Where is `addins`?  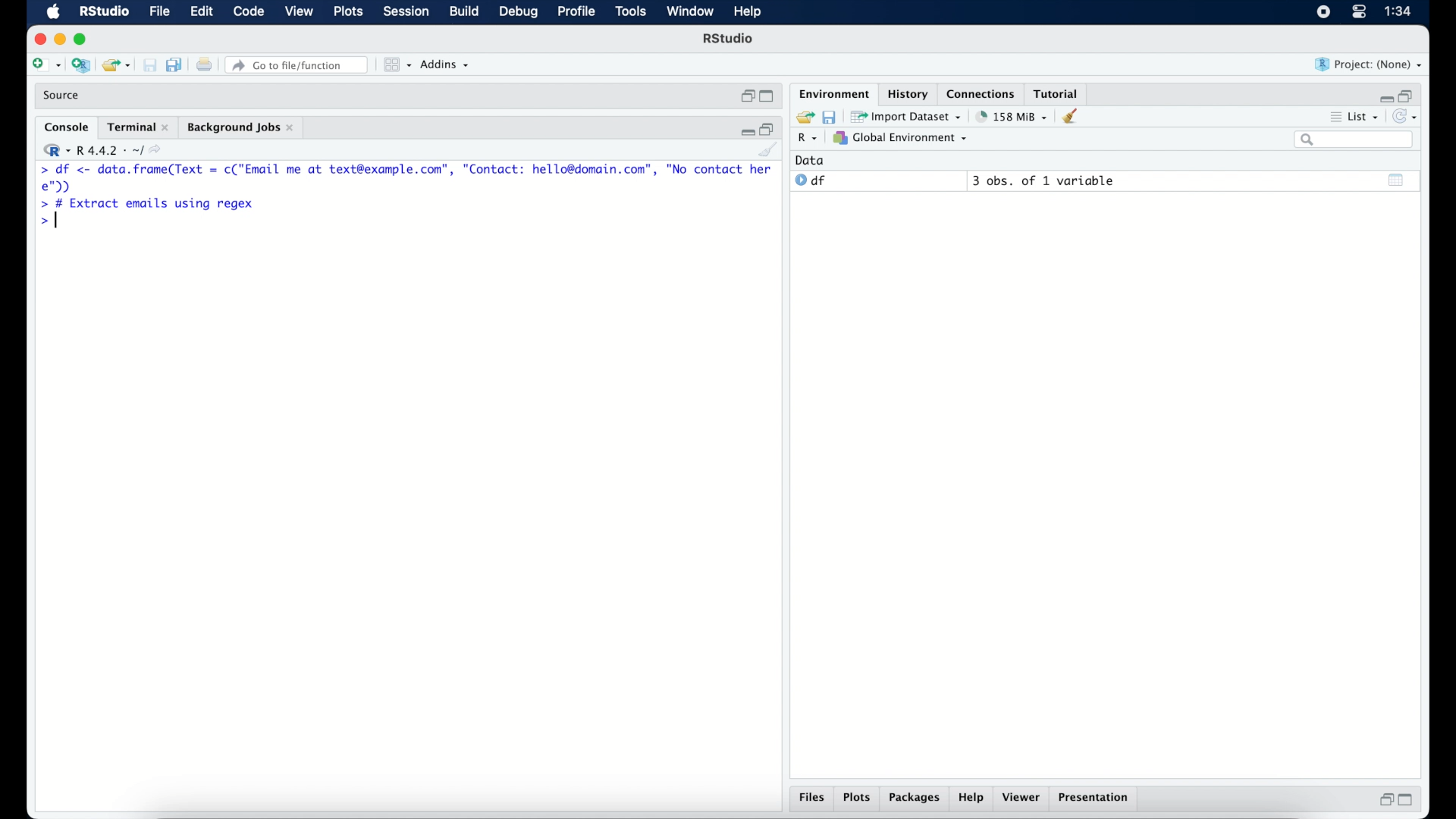 addins is located at coordinates (446, 65).